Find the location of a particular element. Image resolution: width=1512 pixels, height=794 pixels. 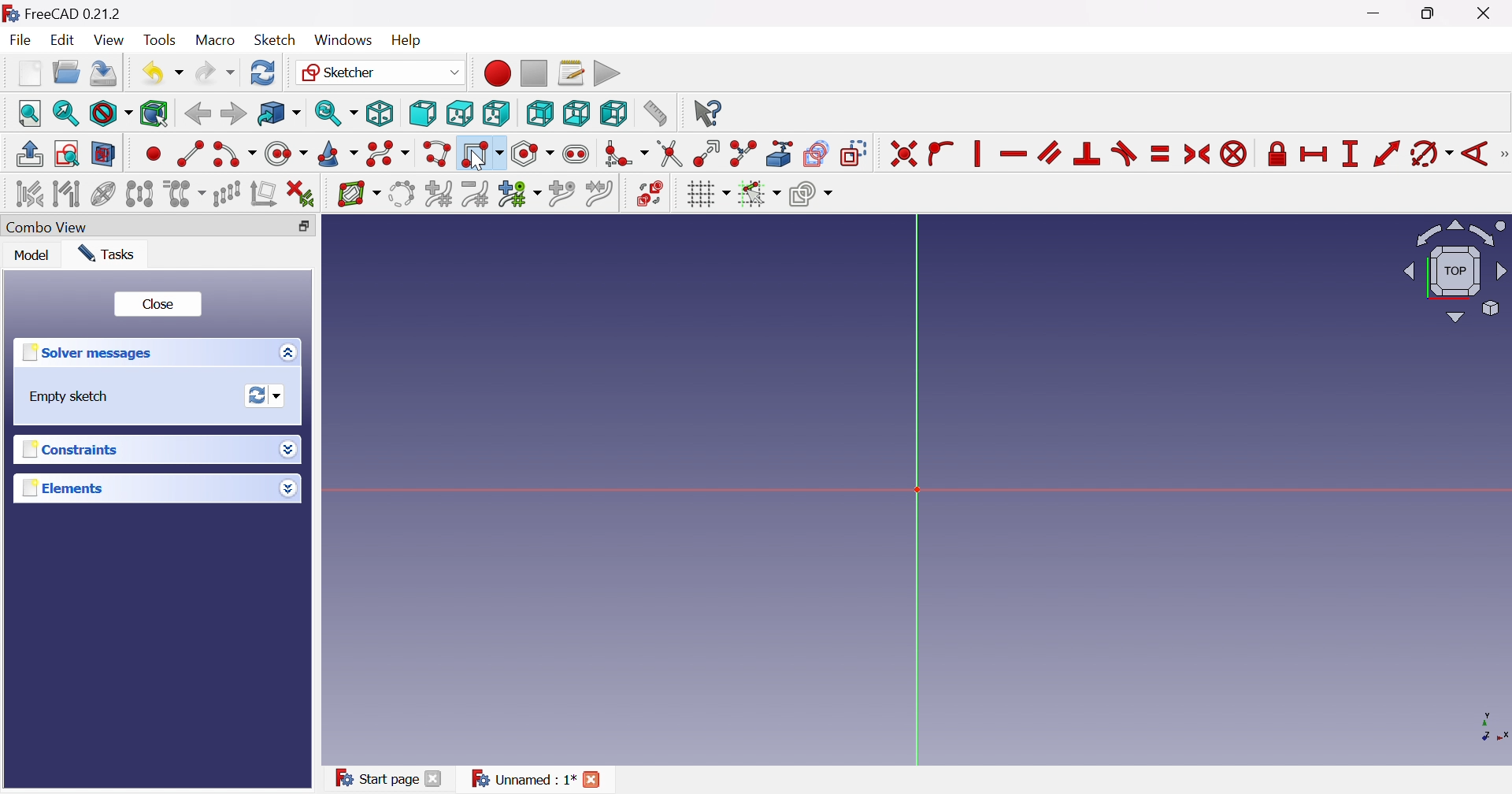

Constrain angle is located at coordinates (1473, 155).